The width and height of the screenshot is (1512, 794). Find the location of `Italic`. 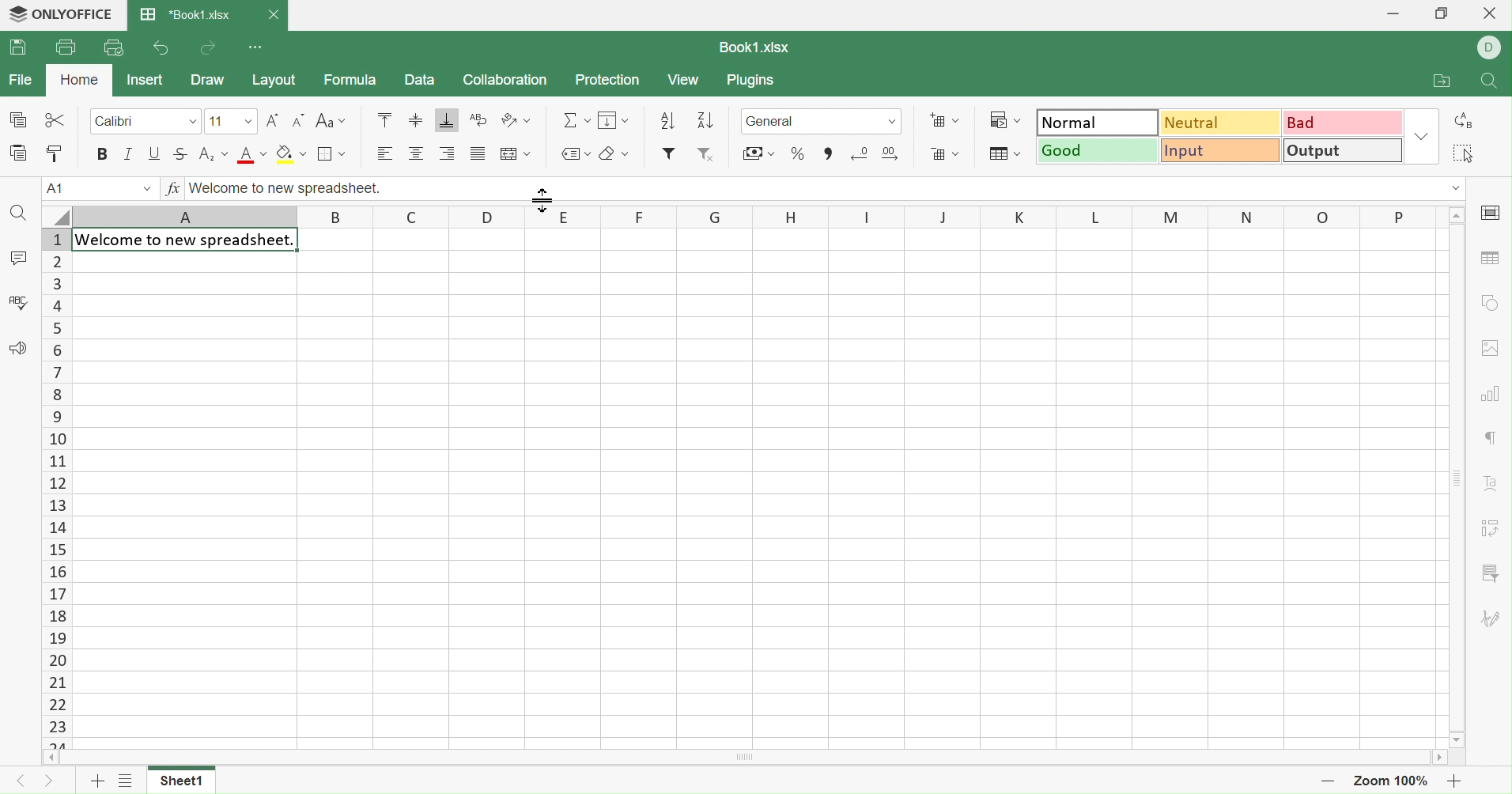

Italic is located at coordinates (129, 151).